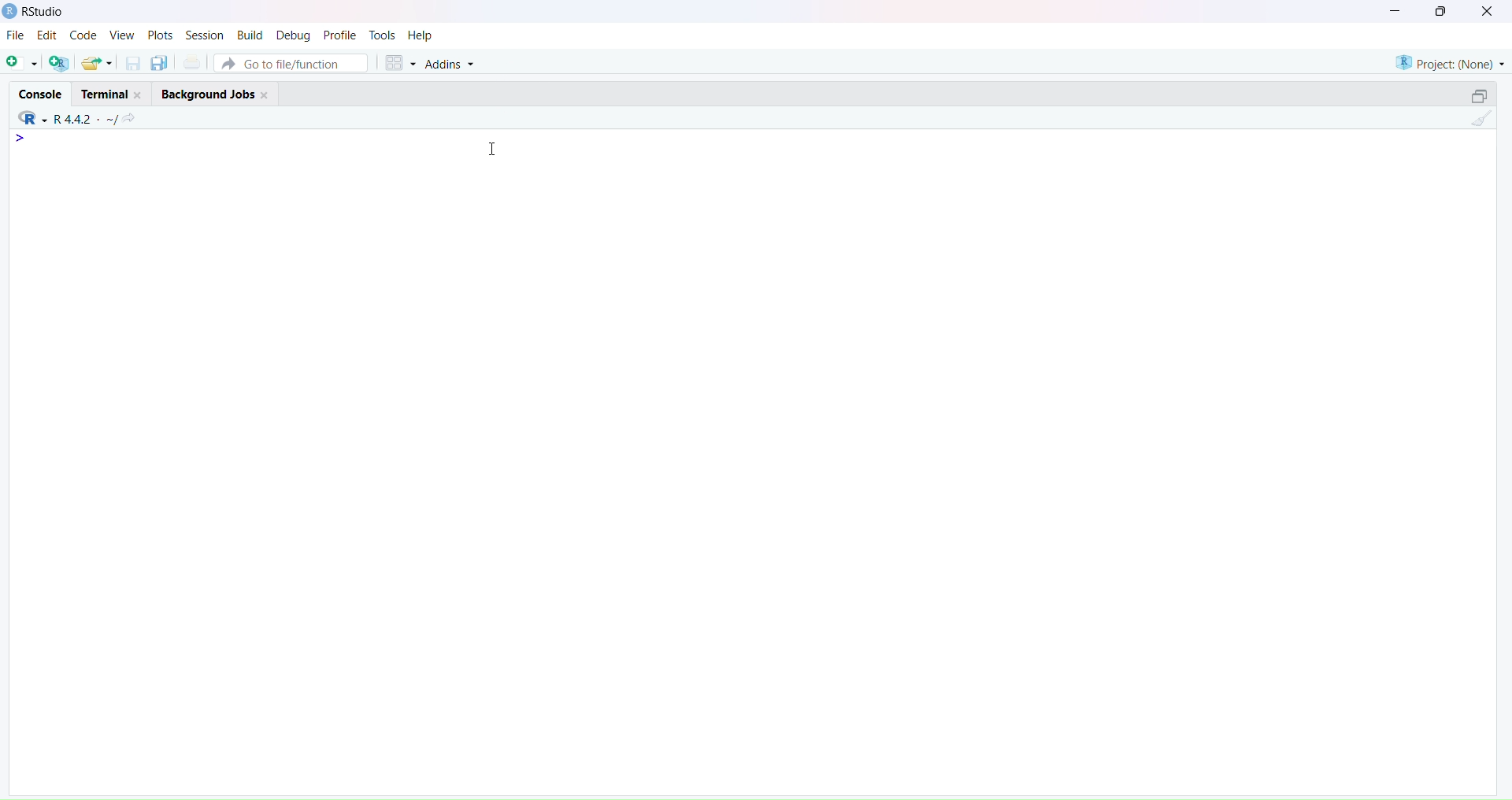 The width and height of the screenshot is (1512, 800). What do you see at coordinates (1393, 12) in the screenshot?
I see `minimize` at bounding box center [1393, 12].